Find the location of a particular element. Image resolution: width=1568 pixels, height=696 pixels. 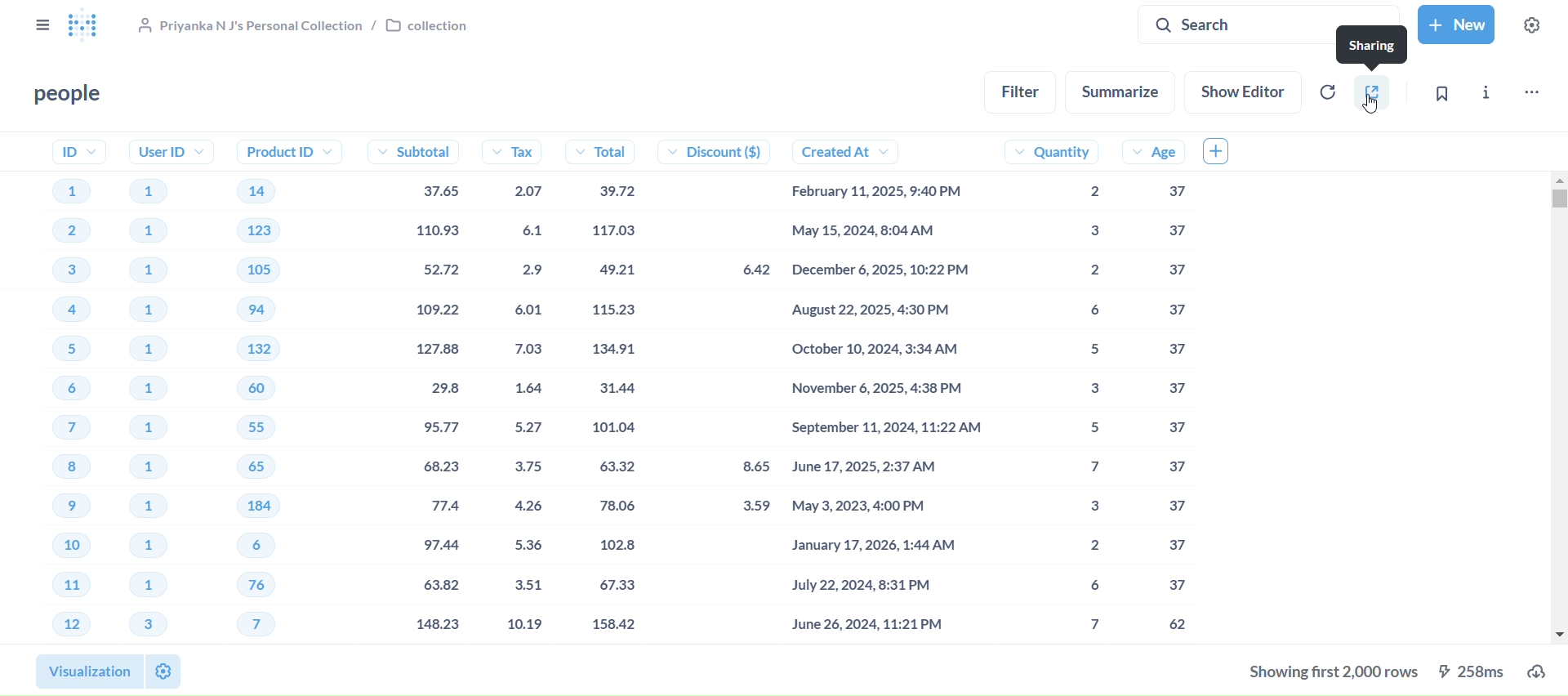

age is located at coordinates (1152, 388).